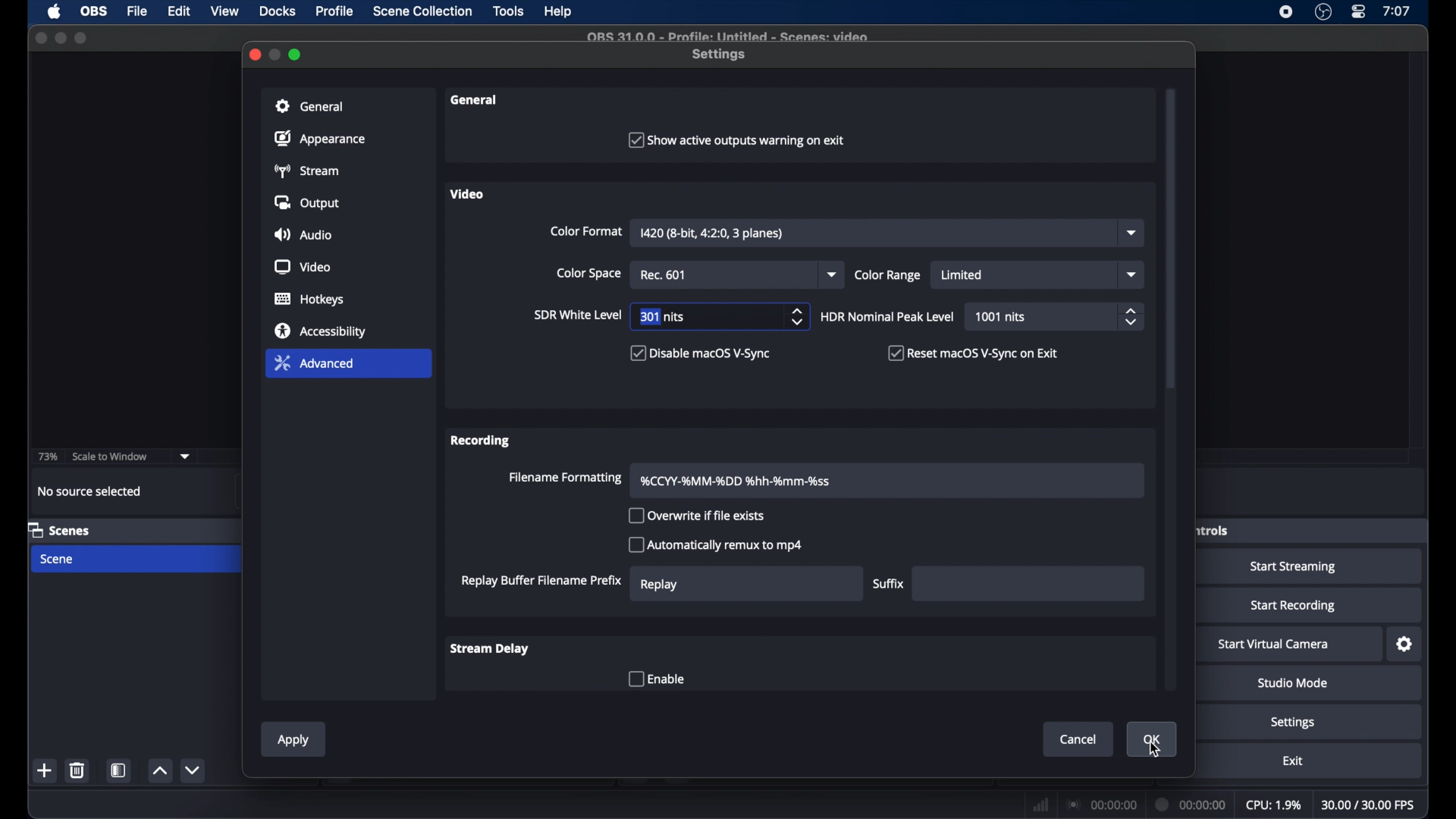  I want to click on screen recorder, so click(1285, 12).